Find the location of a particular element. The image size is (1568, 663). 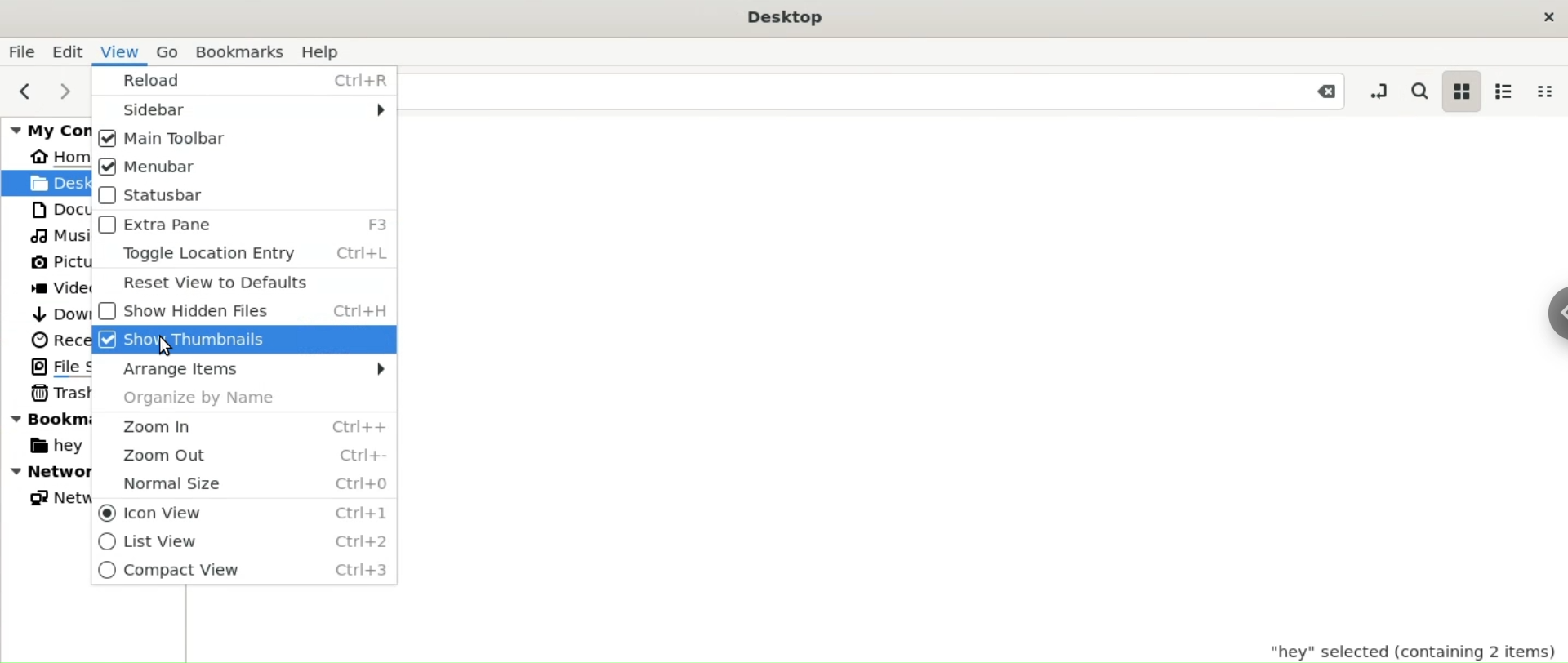

Menubar is located at coordinates (243, 165).